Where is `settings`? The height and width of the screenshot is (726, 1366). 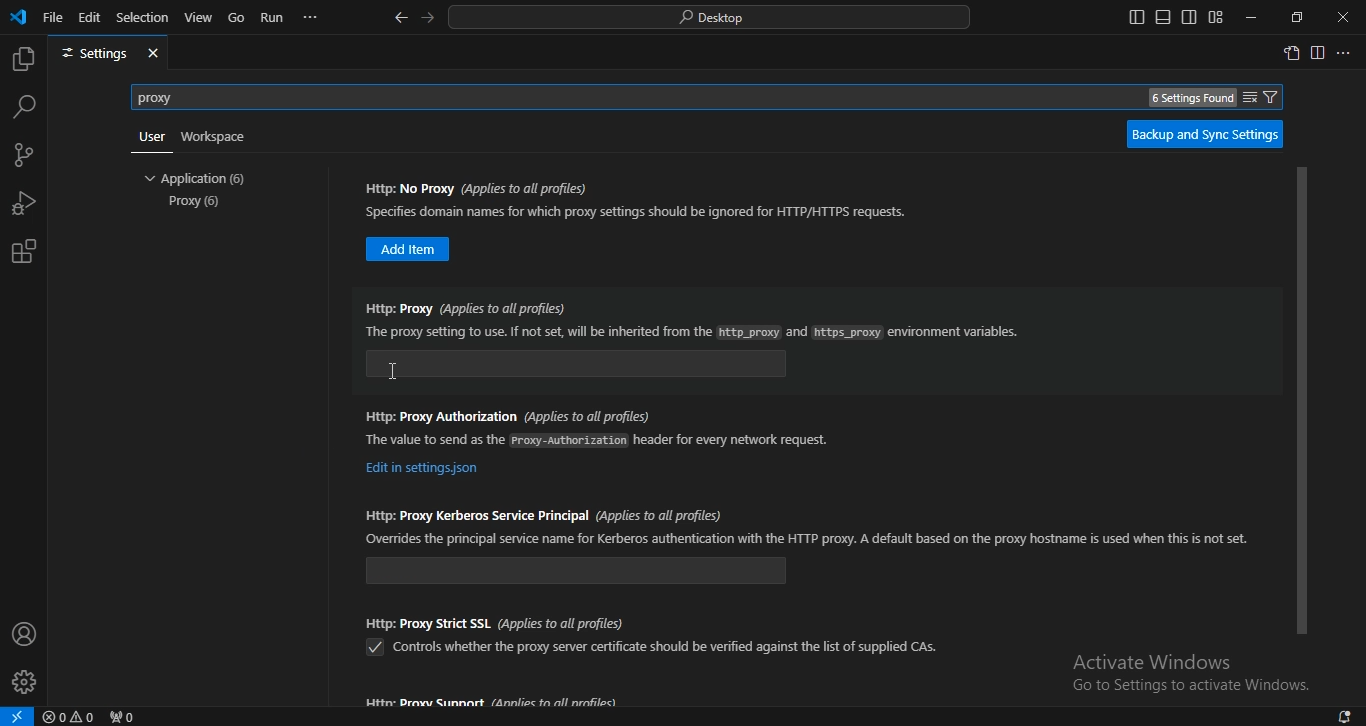 settings is located at coordinates (91, 54).